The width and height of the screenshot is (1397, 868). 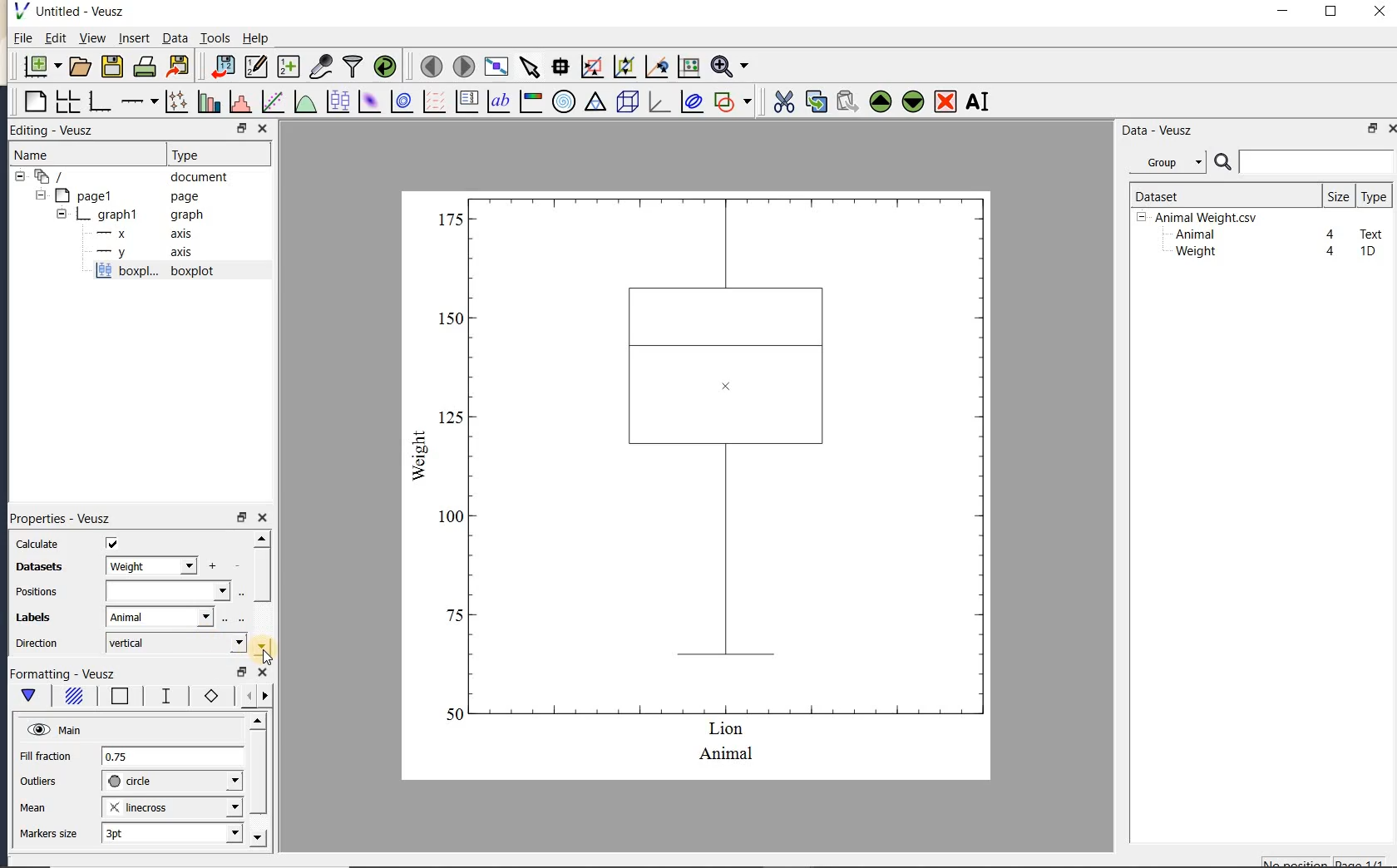 What do you see at coordinates (34, 806) in the screenshot?
I see `mean` at bounding box center [34, 806].